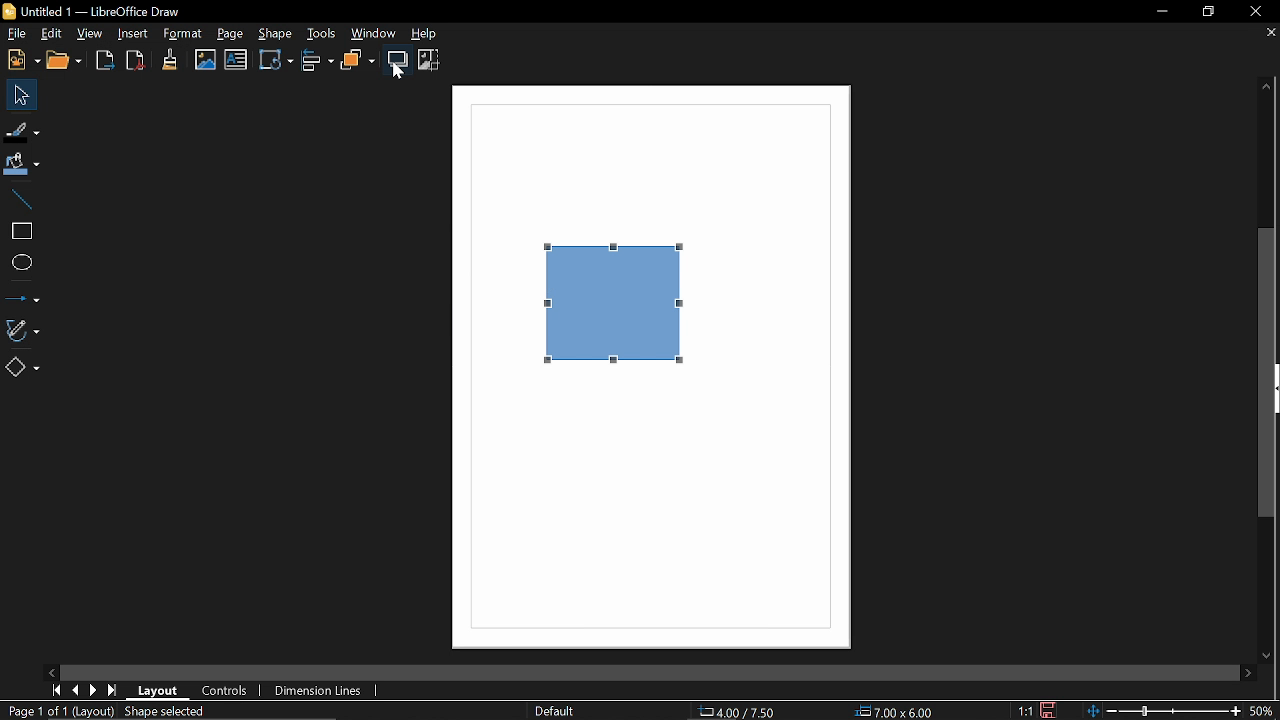 The height and width of the screenshot is (720, 1280). I want to click on Final page, so click(114, 691).